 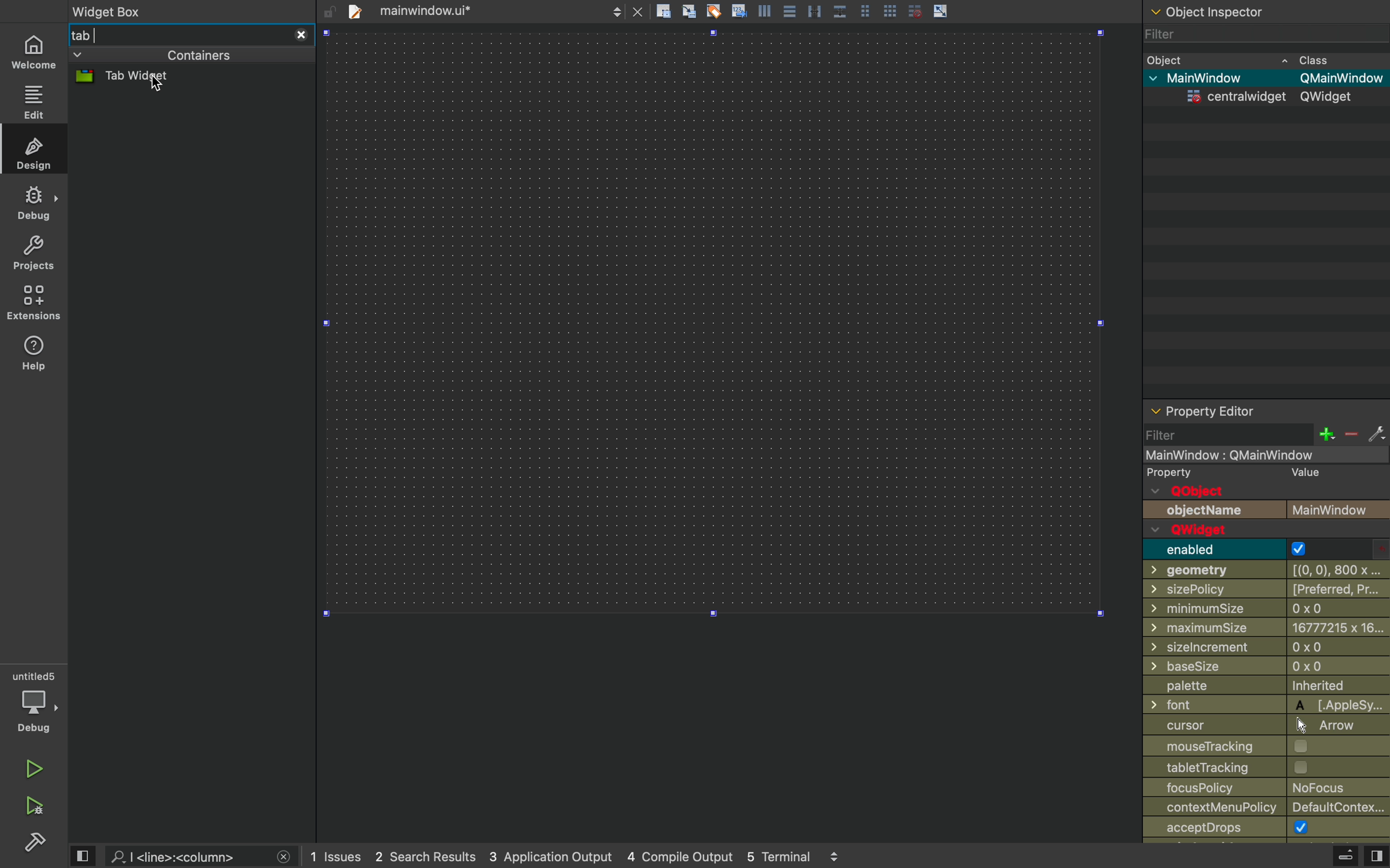 I want to click on geometry, so click(x=1264, y=571).